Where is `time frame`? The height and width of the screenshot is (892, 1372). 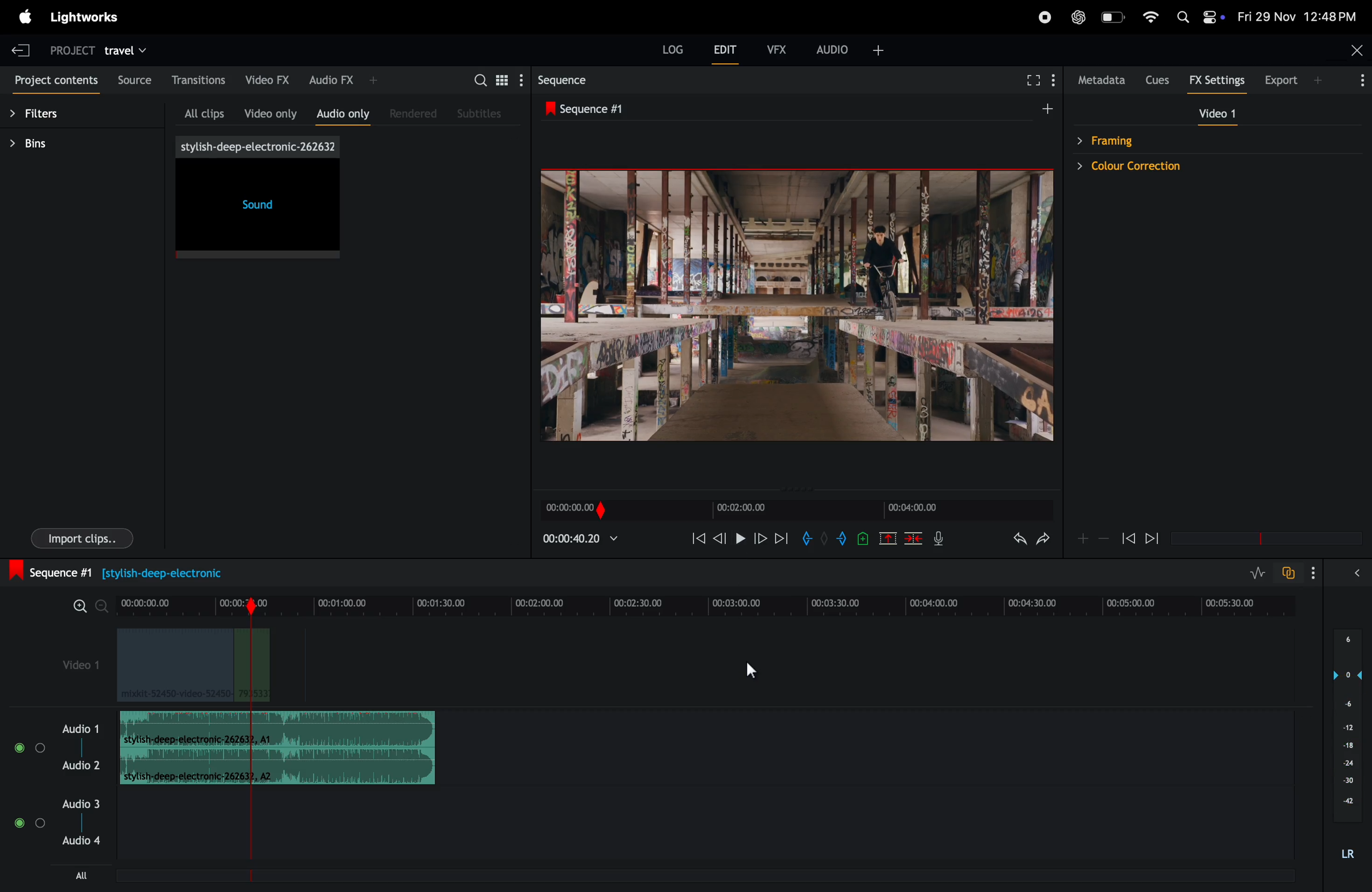 time frame is located at coordinates (707, 603).